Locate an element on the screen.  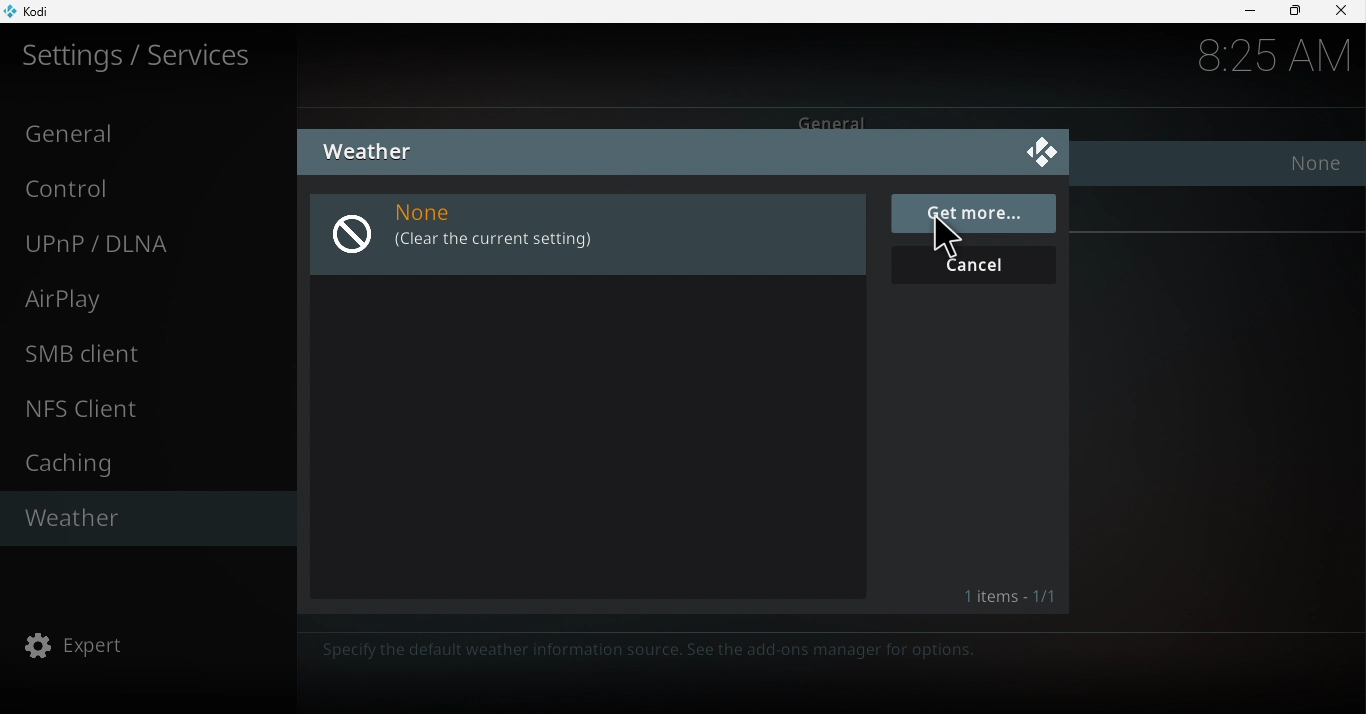
Specify the default weather information source. See the add-ons manager for options. is located at coordinates (642, 651).